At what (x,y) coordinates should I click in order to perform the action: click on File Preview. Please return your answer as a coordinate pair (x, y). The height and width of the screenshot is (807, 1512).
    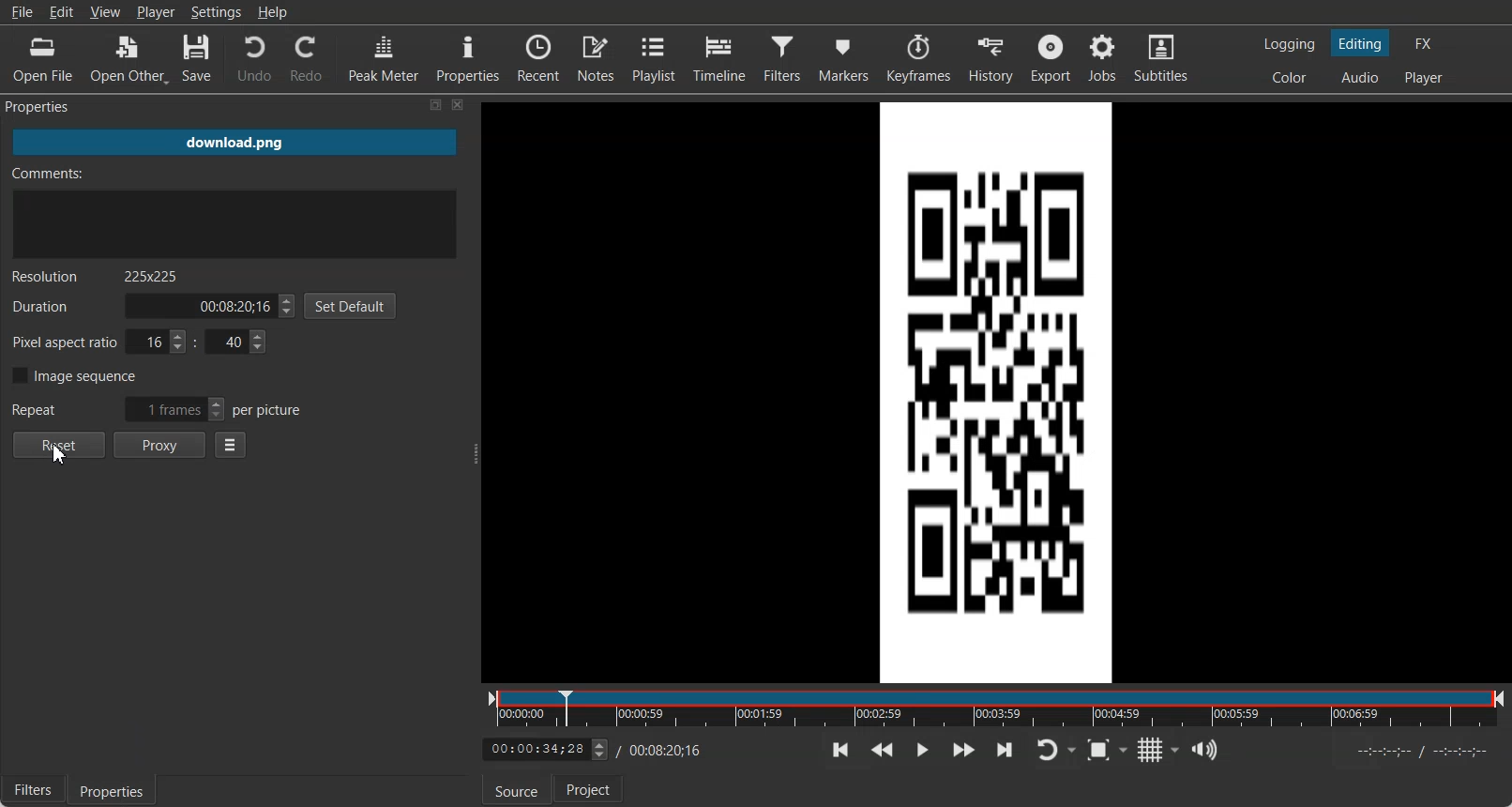
    Looking at the image, I should click on (992, 389).